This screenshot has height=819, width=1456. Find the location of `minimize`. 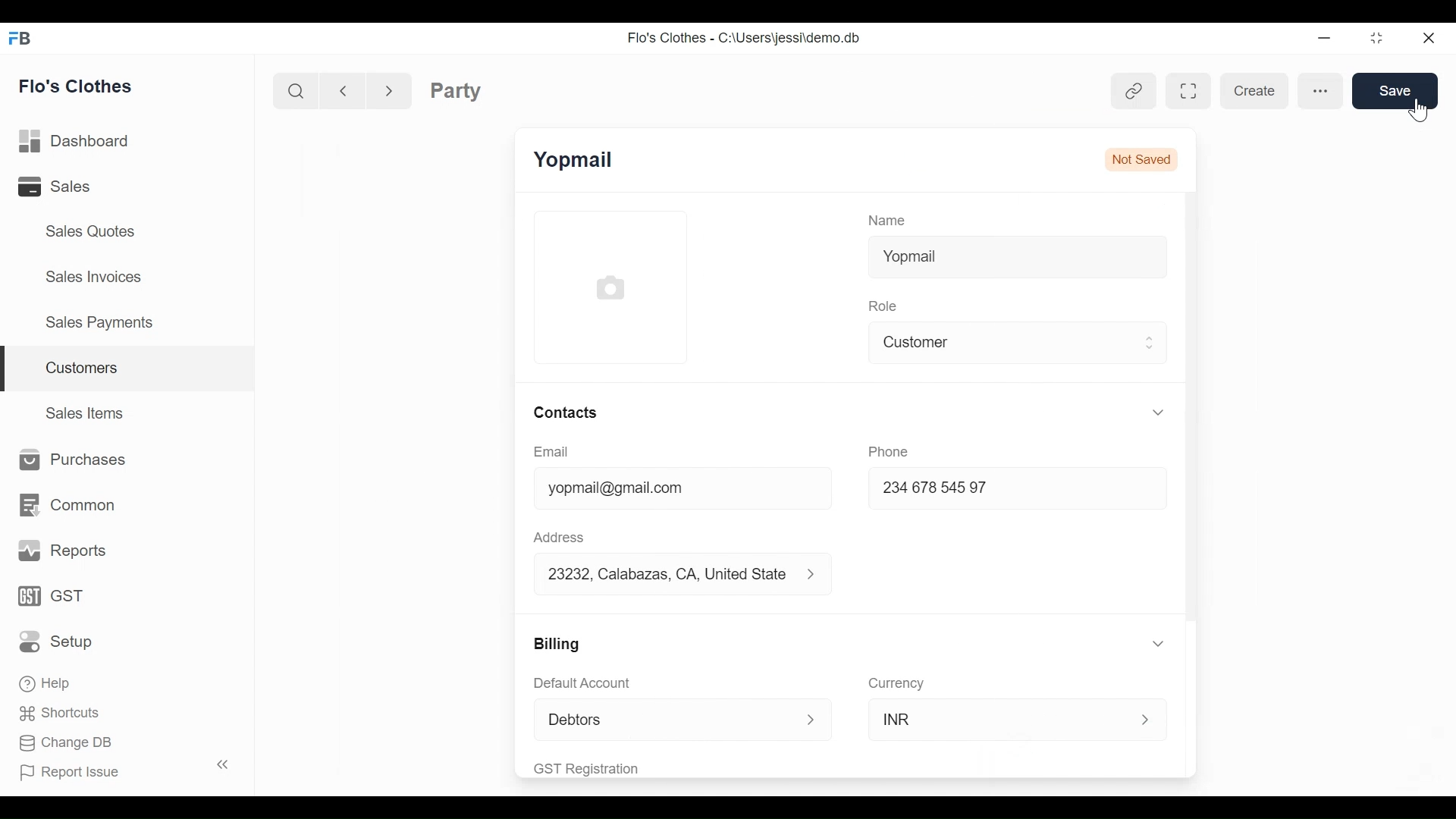

minimize is located at coordinates (1323, 37).